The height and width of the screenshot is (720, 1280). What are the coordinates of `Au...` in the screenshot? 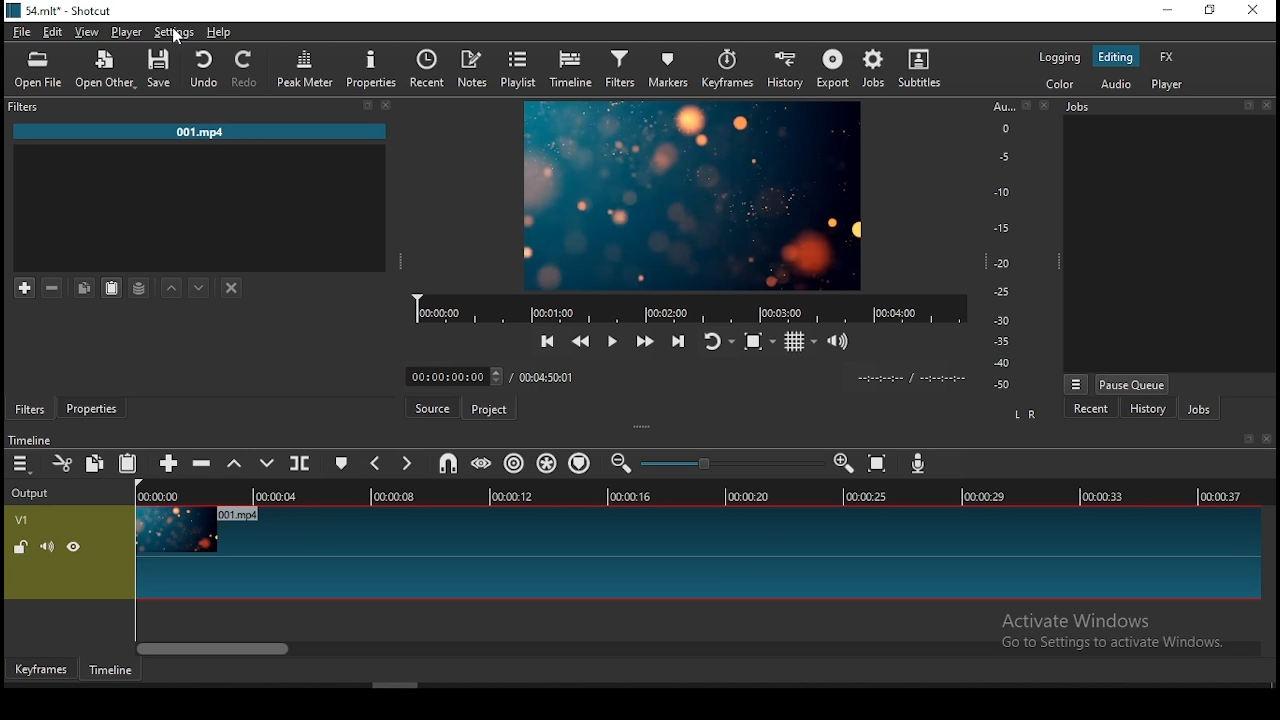 It's located at (1000, 106).